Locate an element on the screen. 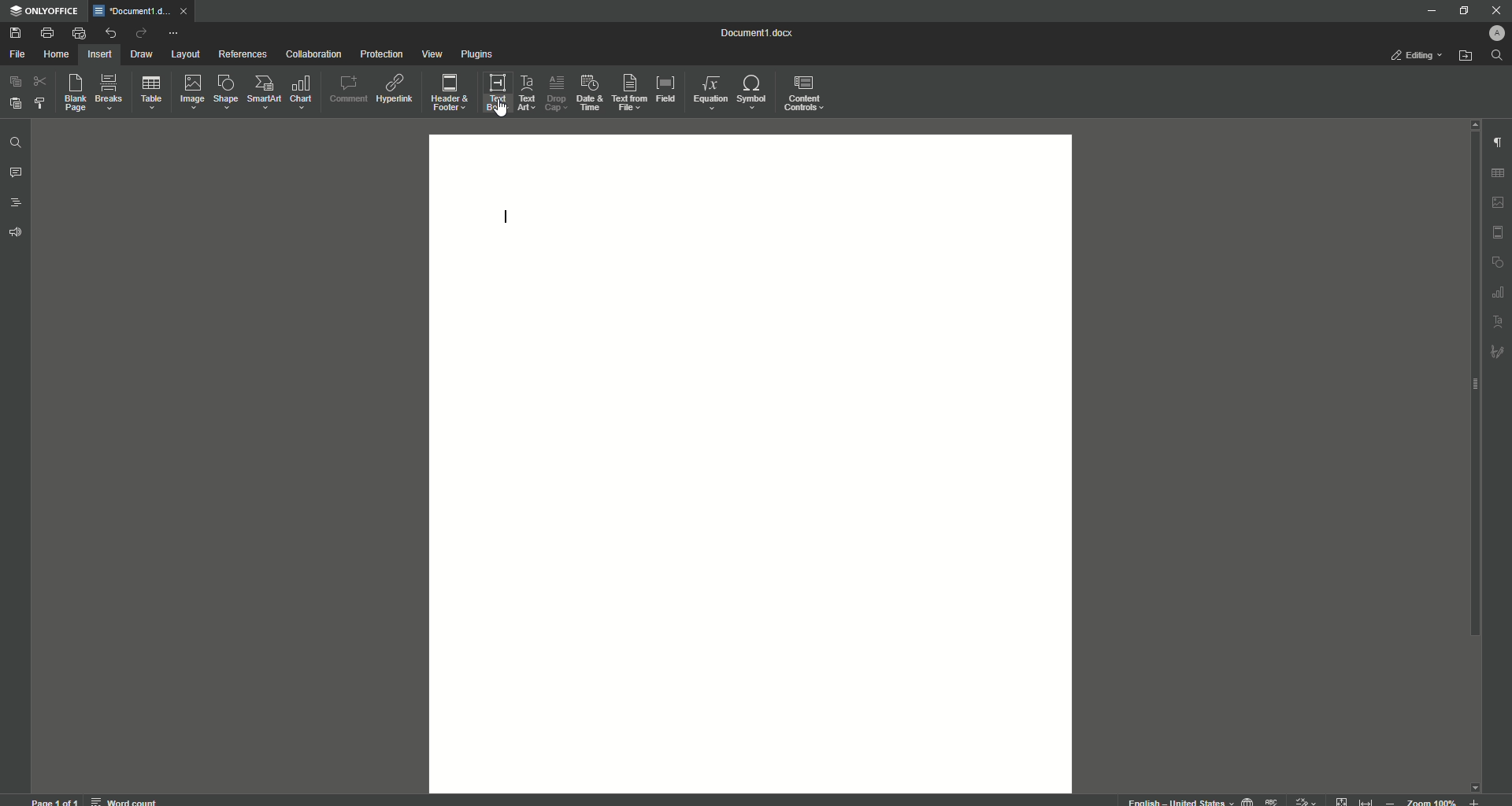 Image resolution: width=1512 pixels, height=806 pixels. table is located at coordinates (1496, 293).